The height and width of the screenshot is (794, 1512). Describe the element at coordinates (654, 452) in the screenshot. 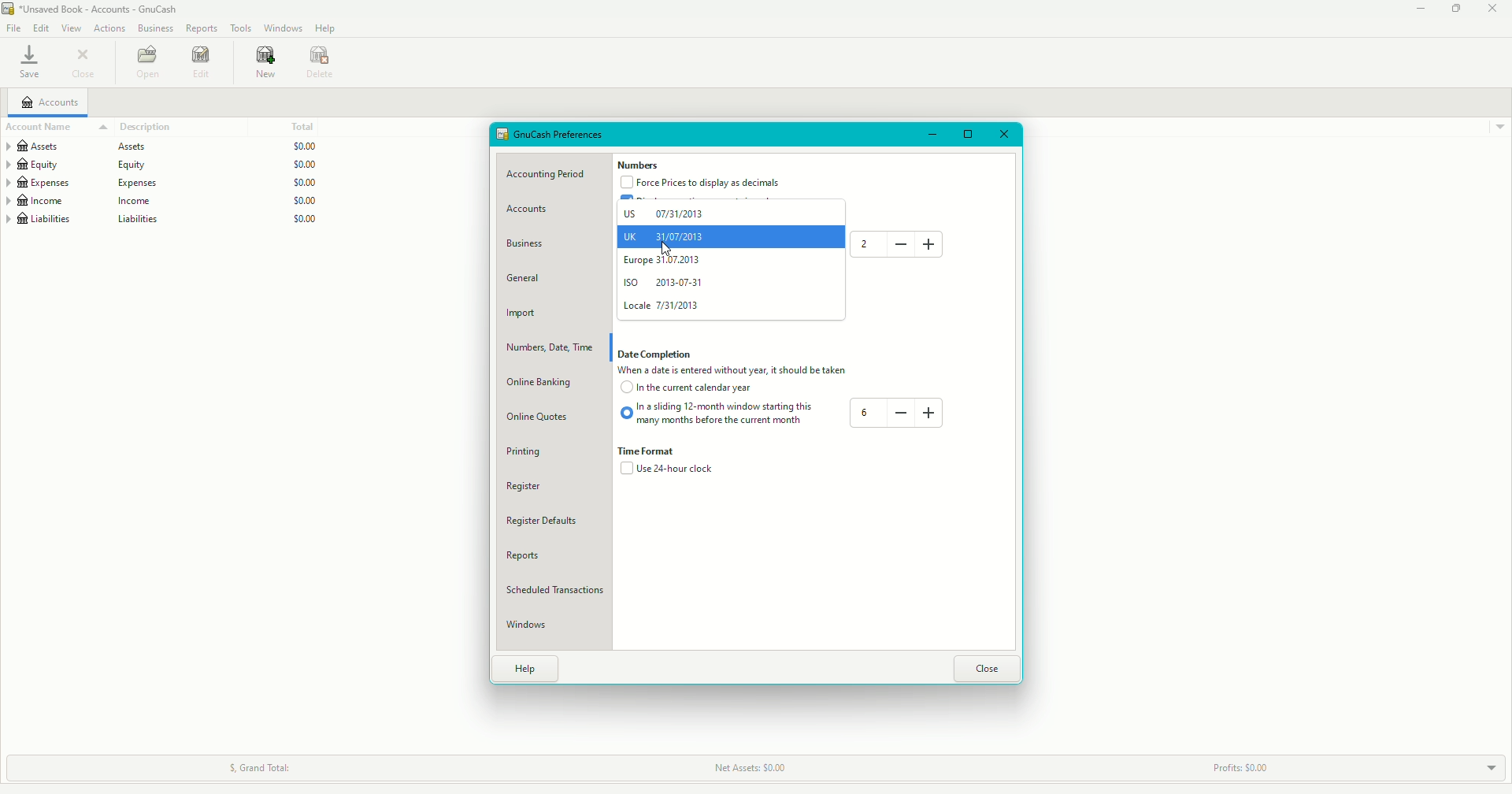

I see `Time Format` at that location.